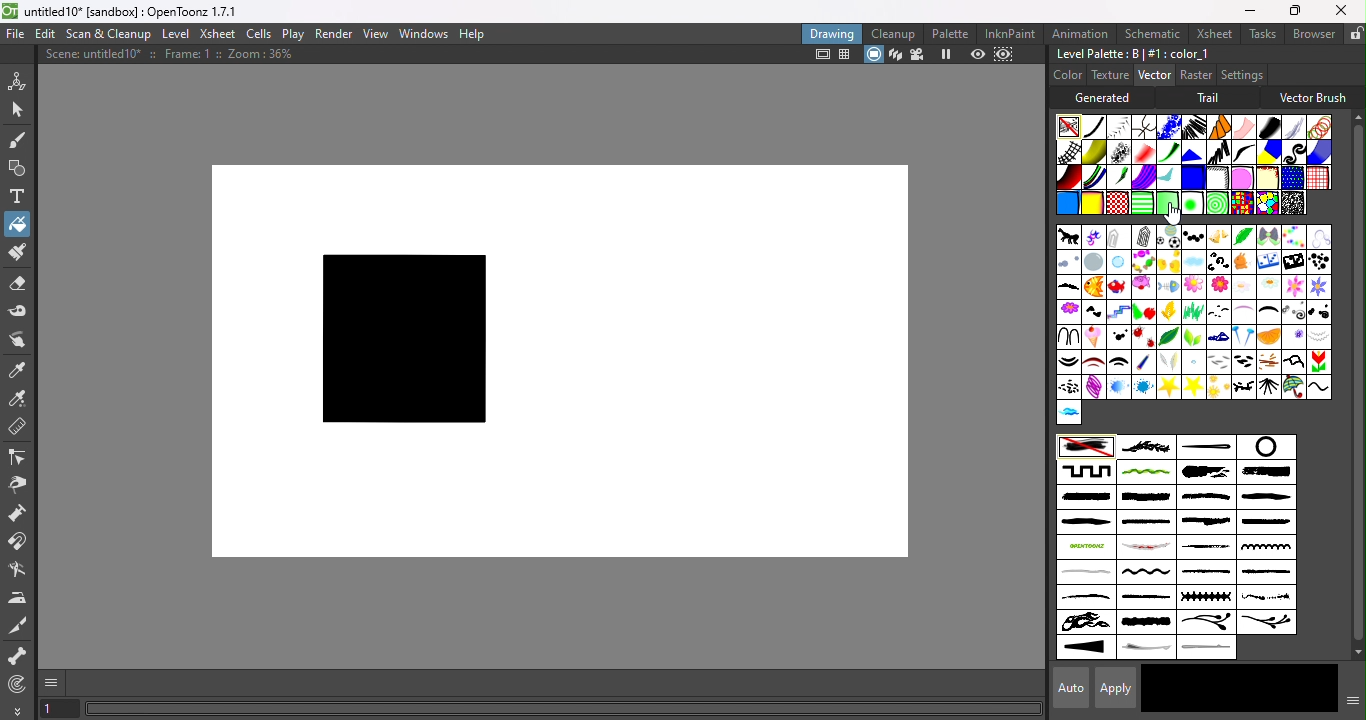 The width and height of the screenshot is (1366, 720). Describe the element at coordinates (1068, 264) in the screenshot. I see `Bubb` at that location.